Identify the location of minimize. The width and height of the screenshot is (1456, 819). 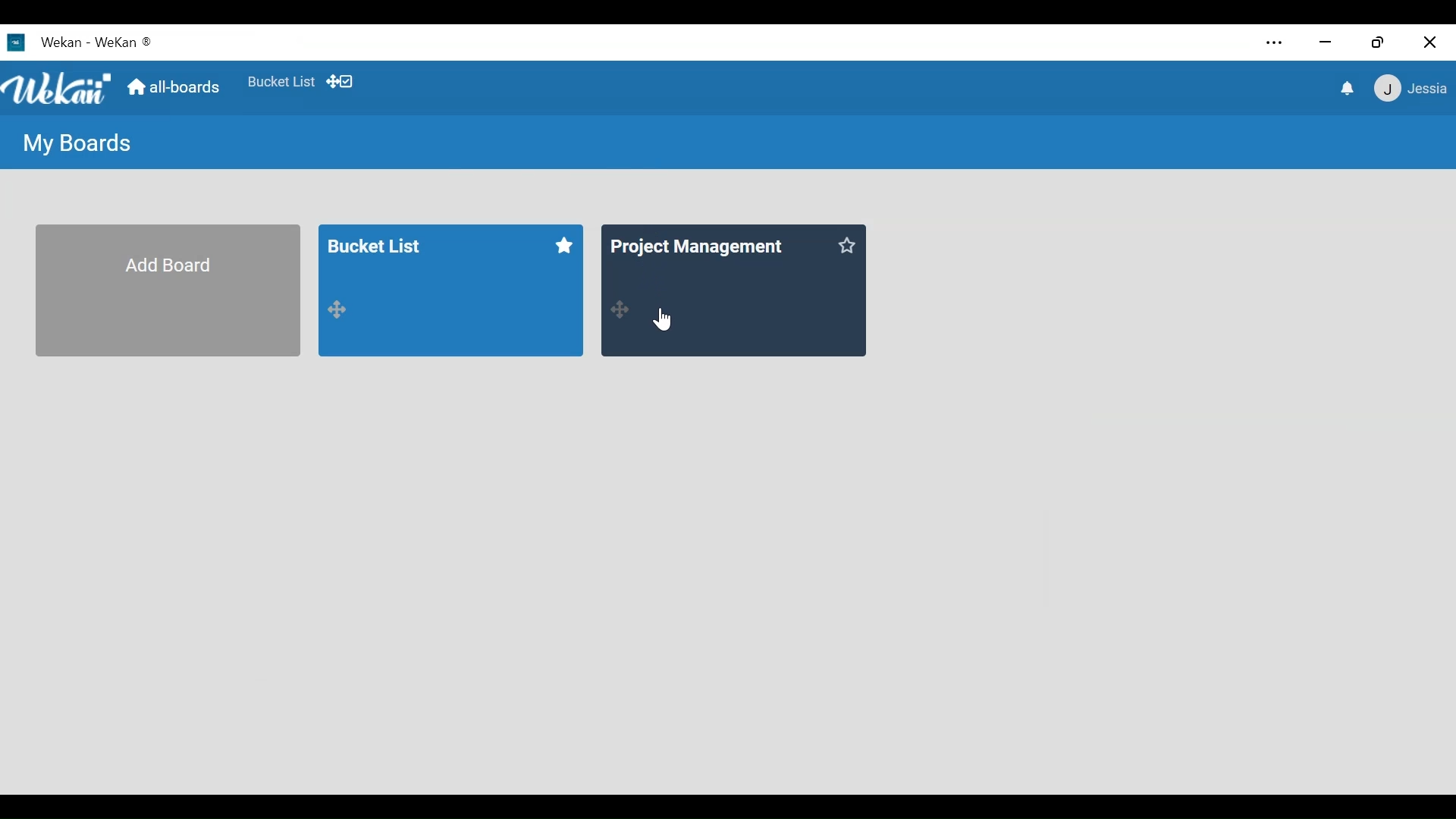
(1326, 42).